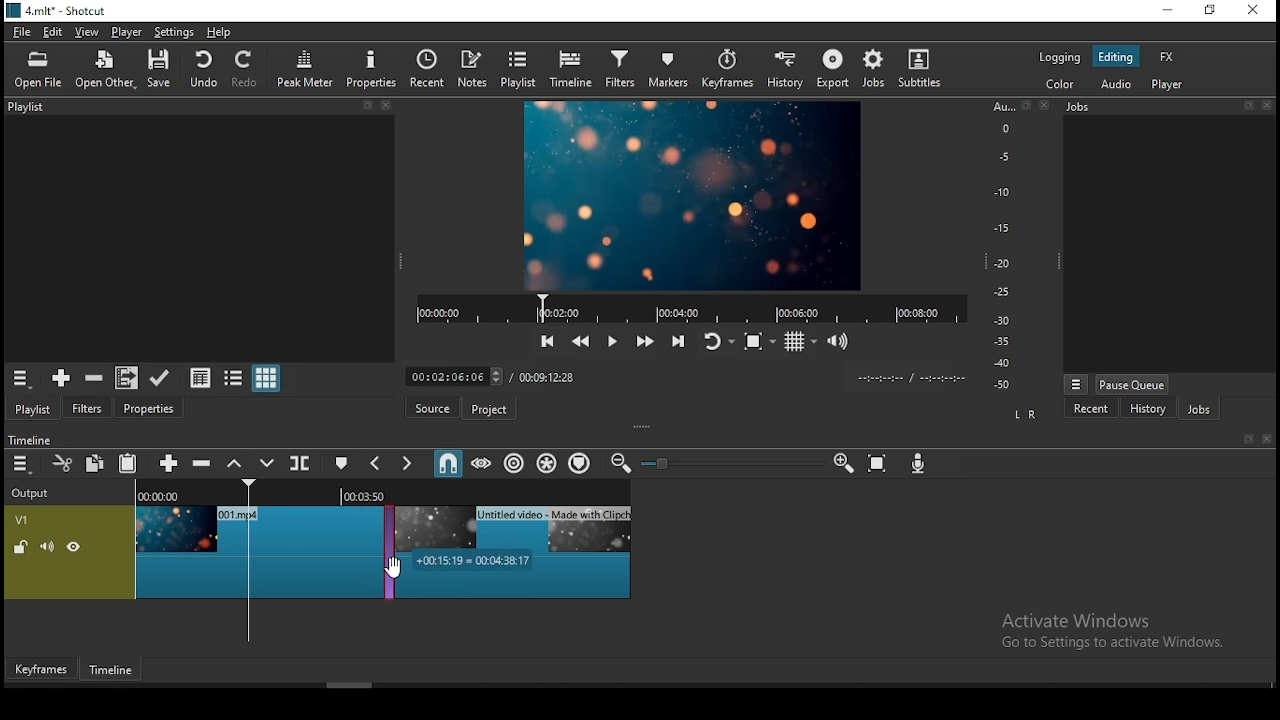 The image size is (1280, 720). Describe the element at coordinates (251, 550) in the screenshot. I see `video clip` at that location.